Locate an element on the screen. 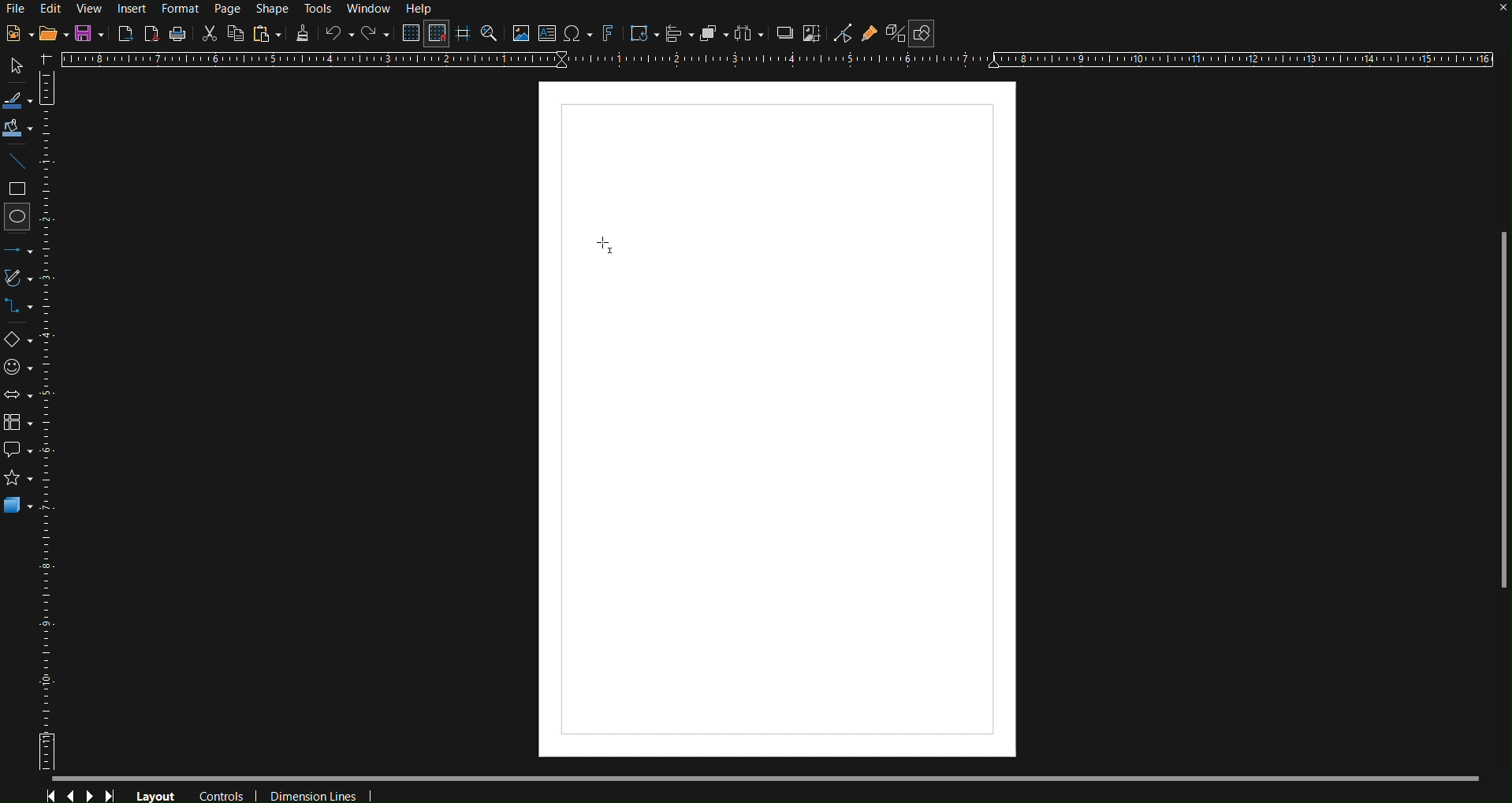  Controls is located at coordinates (225, 794).